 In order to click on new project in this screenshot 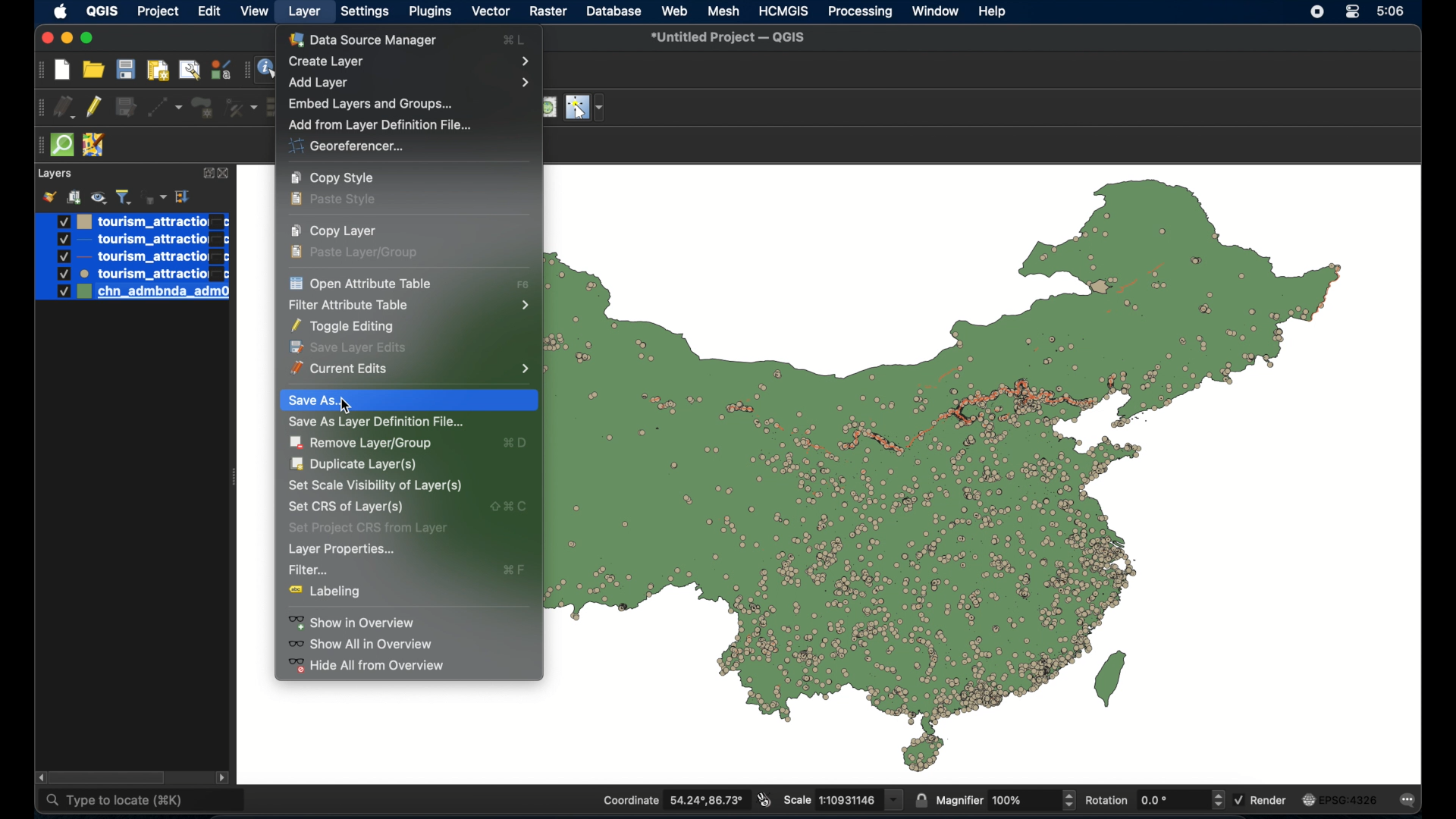, I will do `click(61, 70)`.